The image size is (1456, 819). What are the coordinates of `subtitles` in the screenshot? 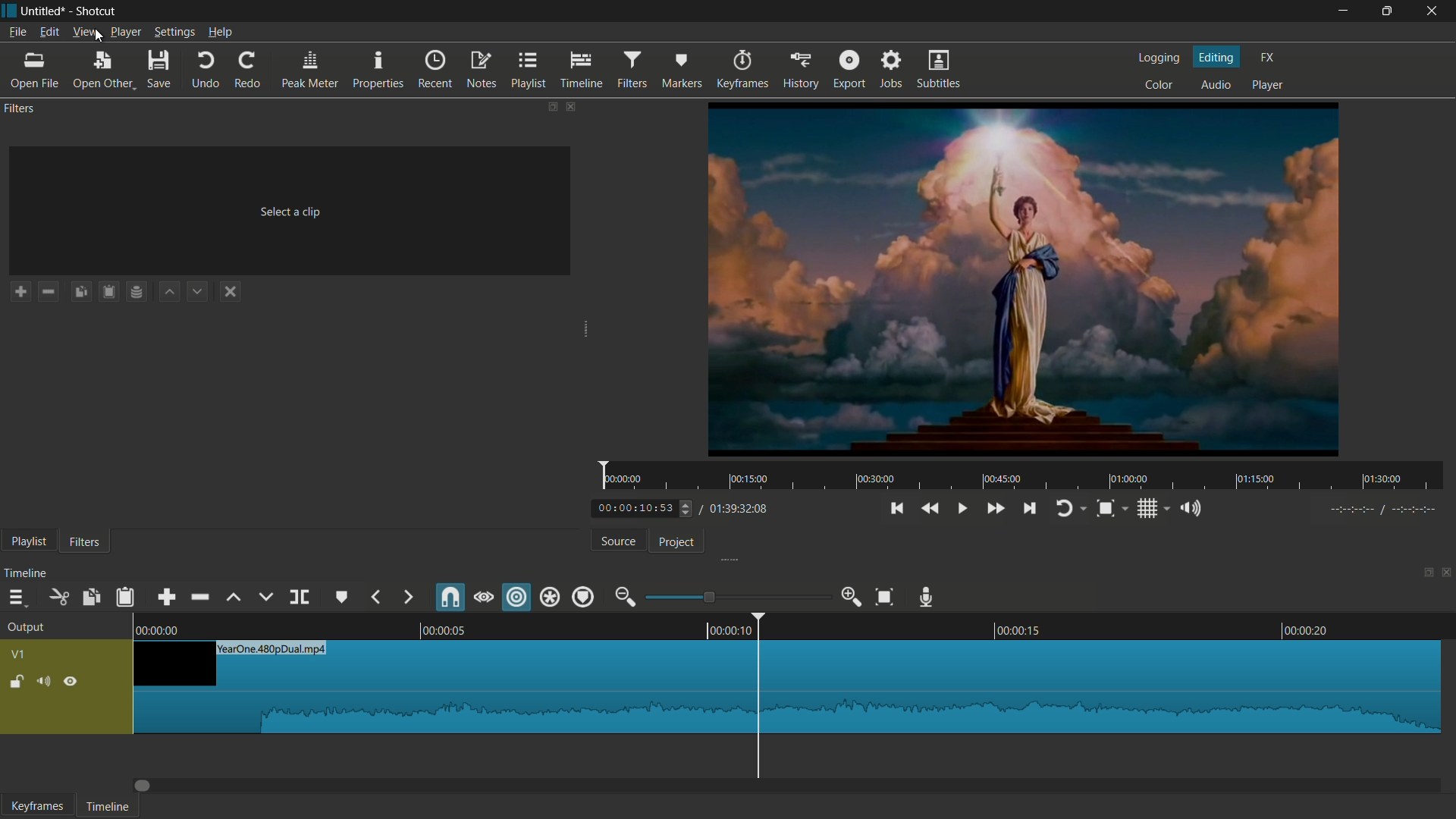 It's located at (939, 71).